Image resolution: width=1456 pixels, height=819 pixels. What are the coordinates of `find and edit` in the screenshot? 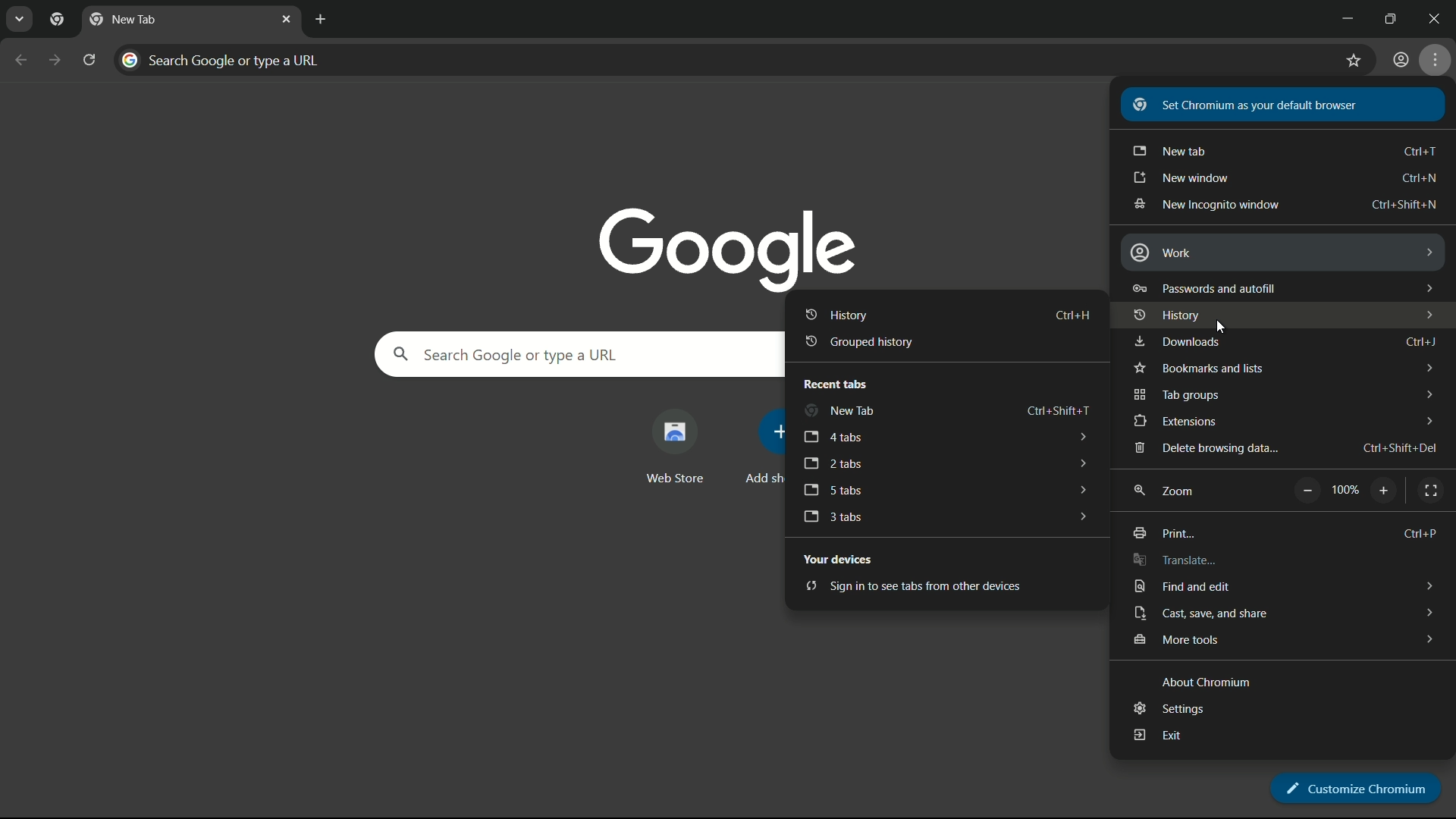 It's located at (1179, 587).